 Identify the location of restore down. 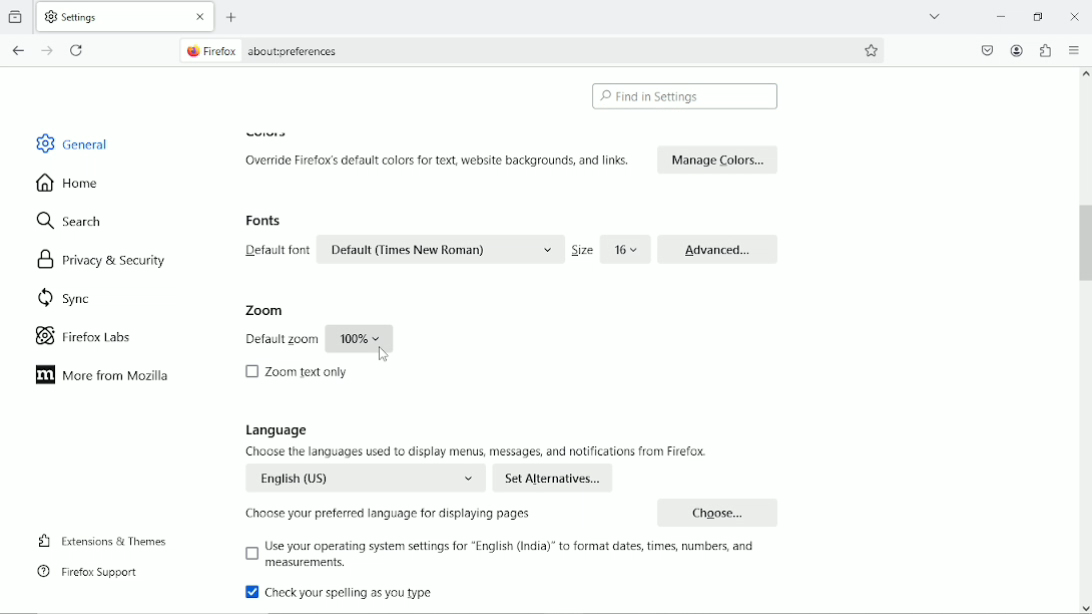
(1039, 16).